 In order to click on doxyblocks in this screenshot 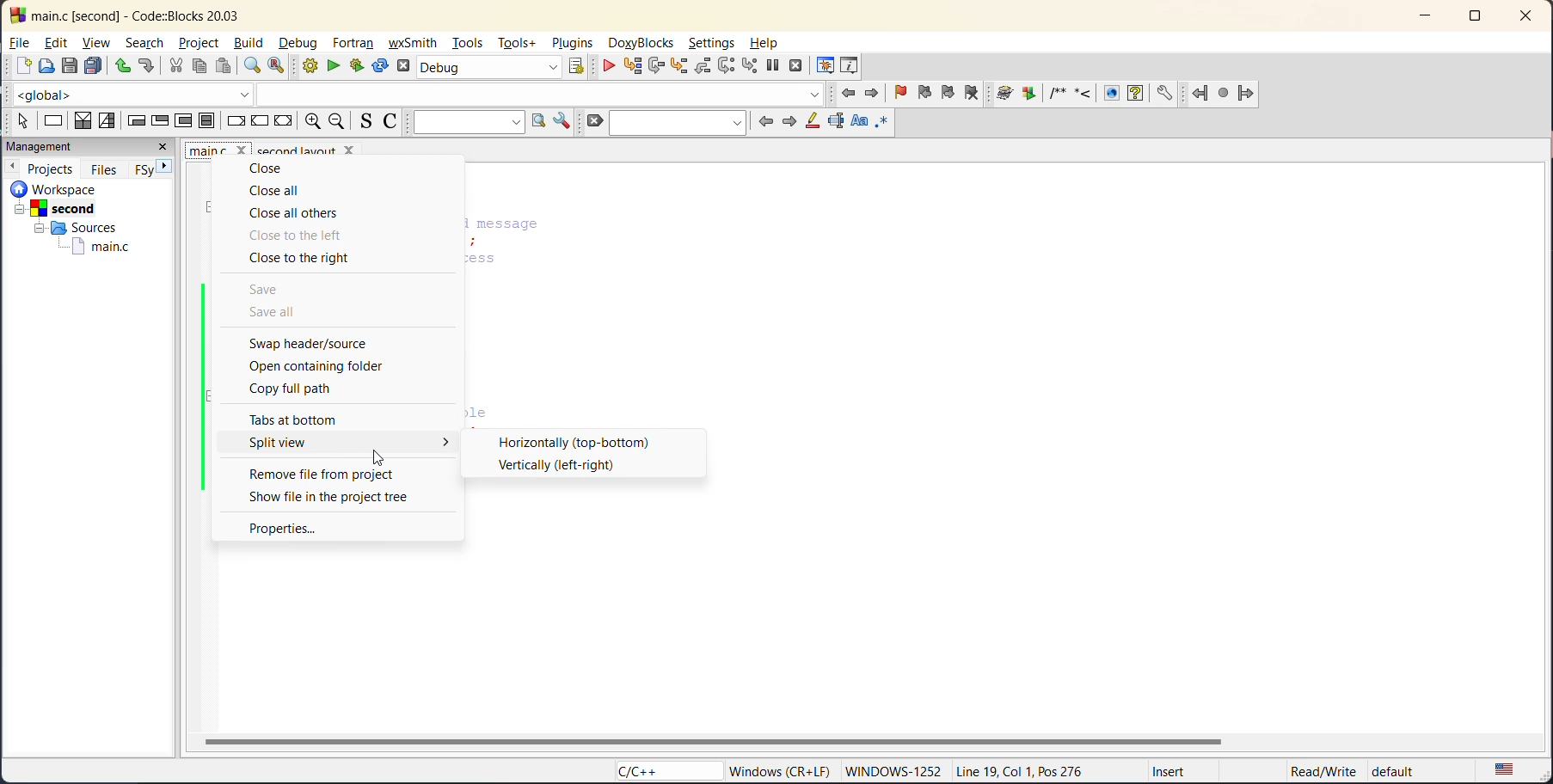, I will do `click(642, 43)`.